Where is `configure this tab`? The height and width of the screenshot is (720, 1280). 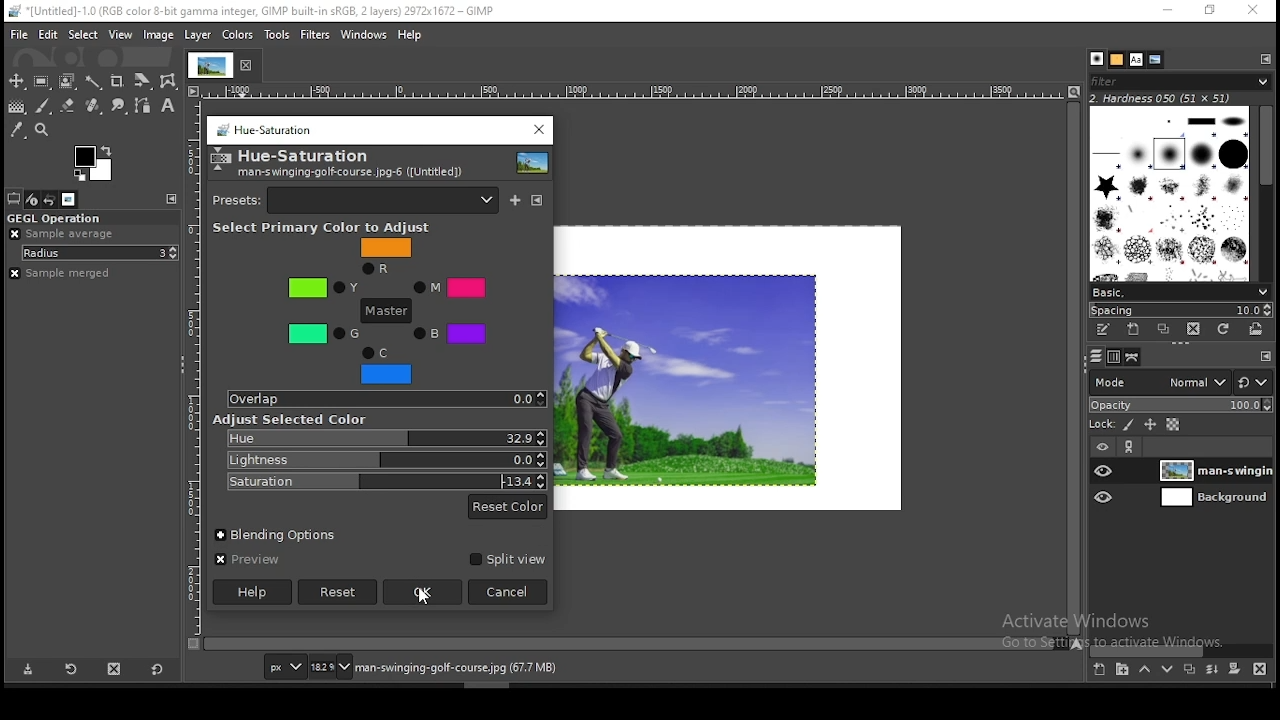
configure this tab is located at coordinates (1263, 355).